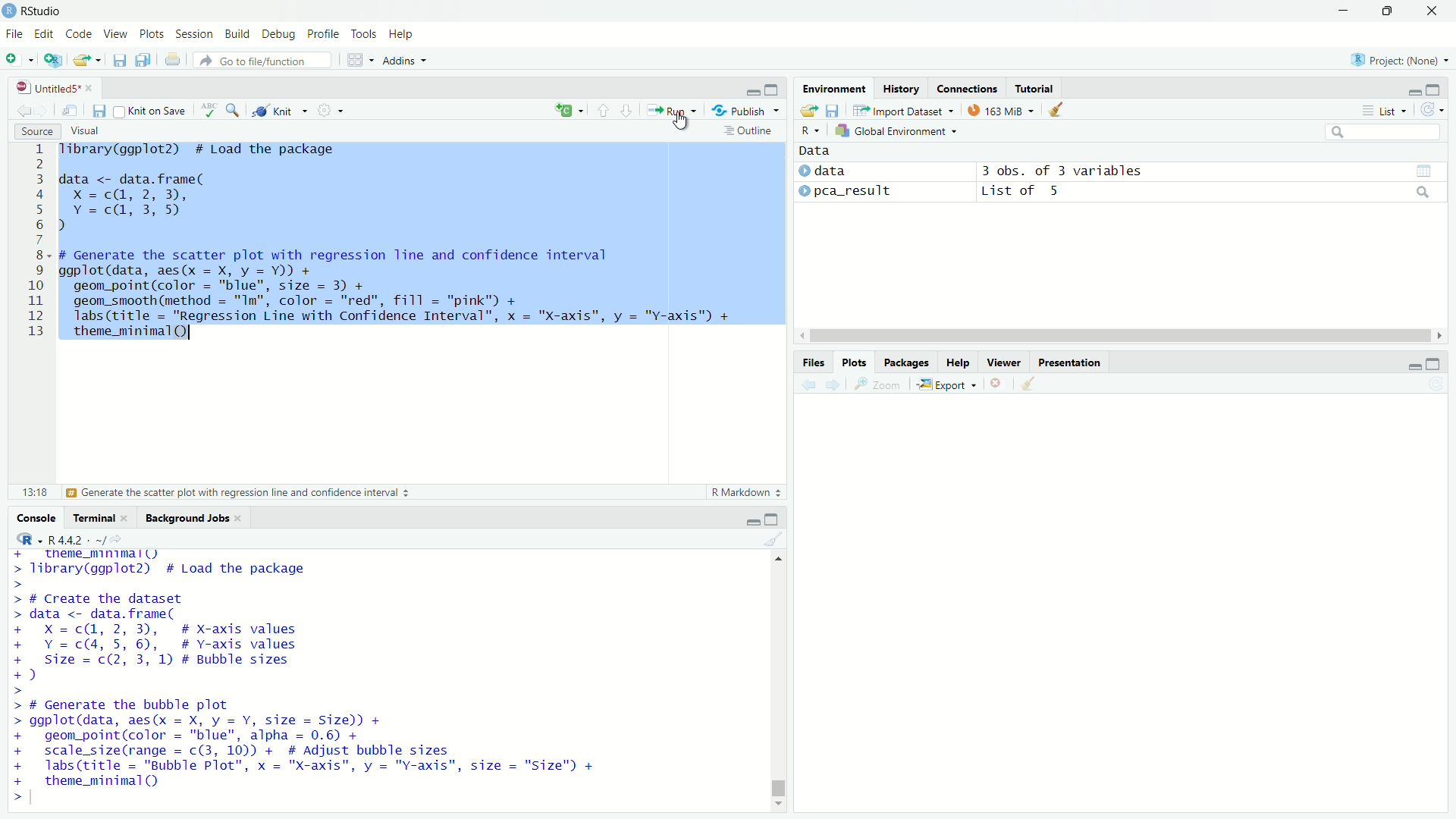  Describe the element at coordinates (239, 492) in the screenshot. I see `Generate the scatter plot with regression line and confidence interval` at that location.